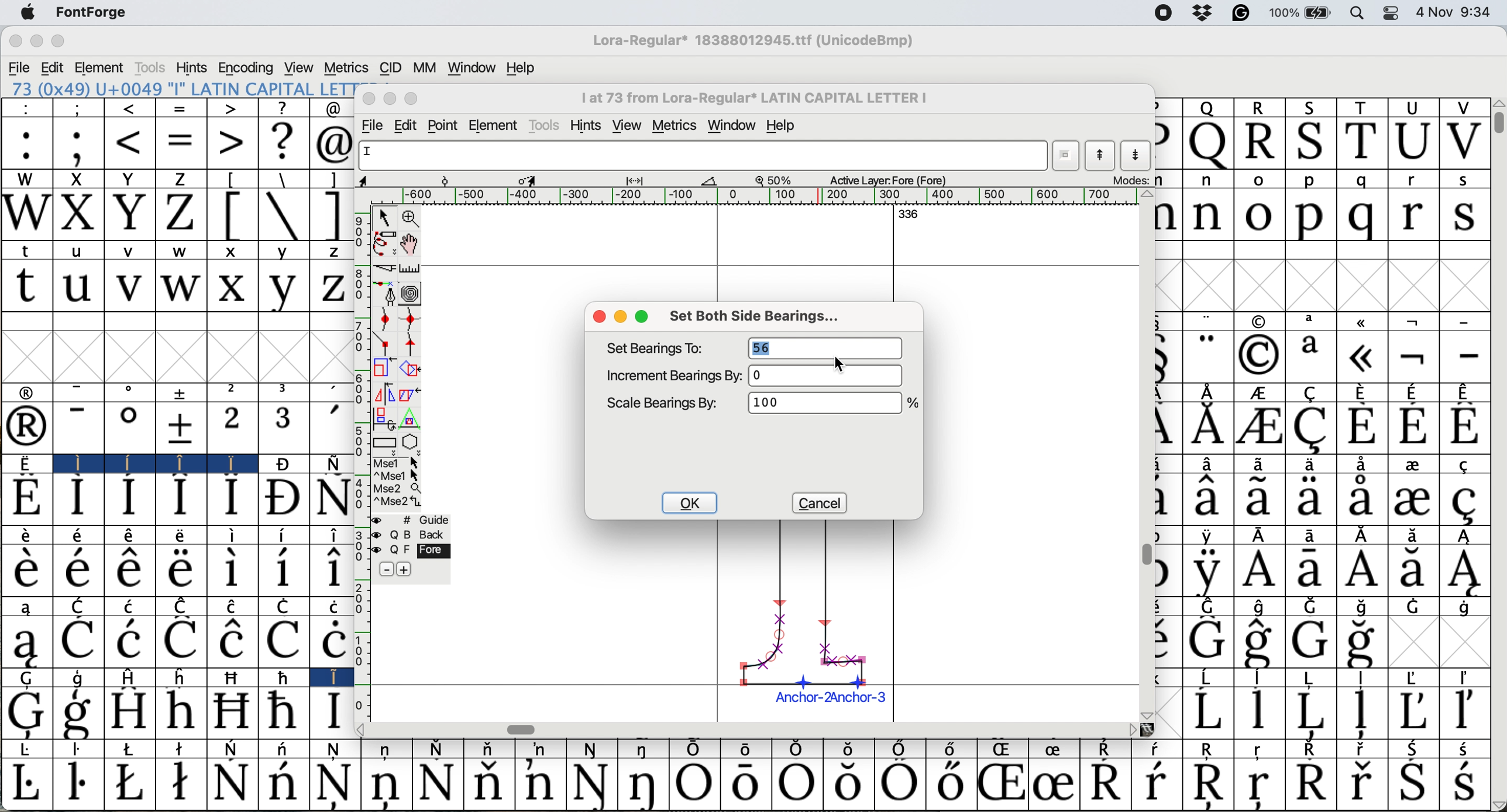 The height and width of the screenshot is (812, 1507). What do you see at coordinates (423, 67) in the screenshot?
I see `mm` at bounding box center [423, 67].